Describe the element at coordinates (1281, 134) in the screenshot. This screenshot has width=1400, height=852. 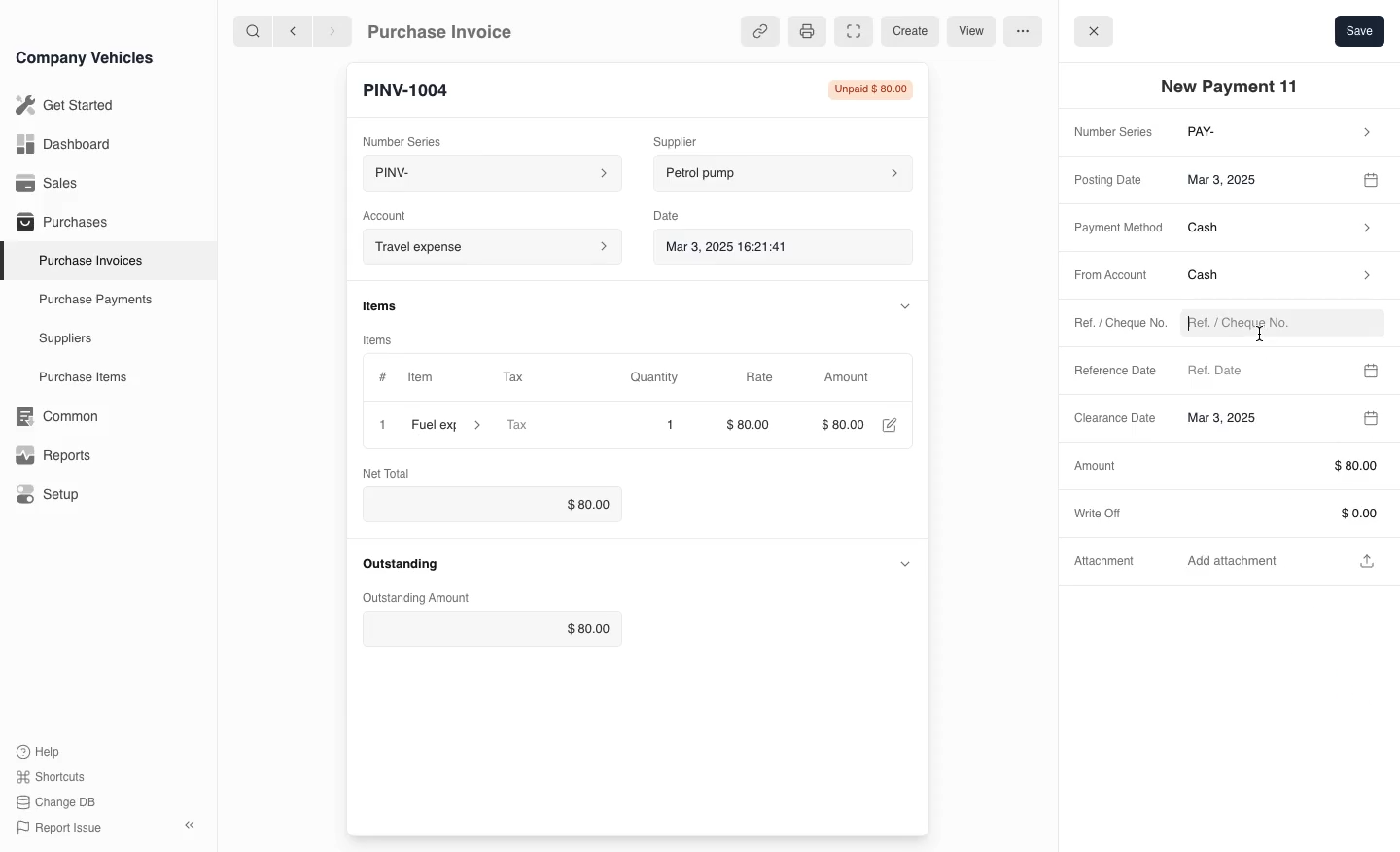
I see `PAY-` at that location.